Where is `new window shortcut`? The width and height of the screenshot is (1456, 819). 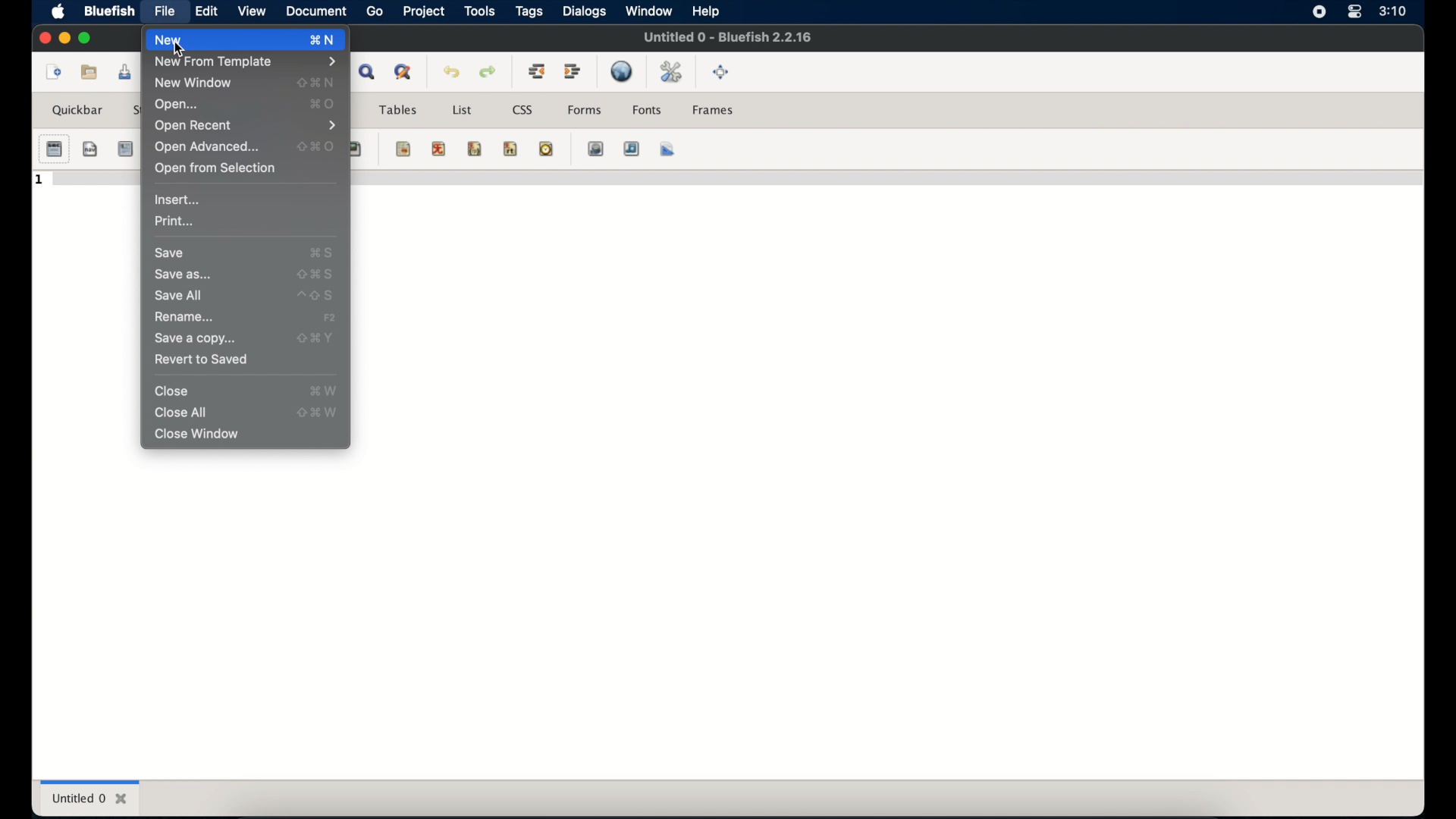
new window shortcut is located at coordinates (316, 82).